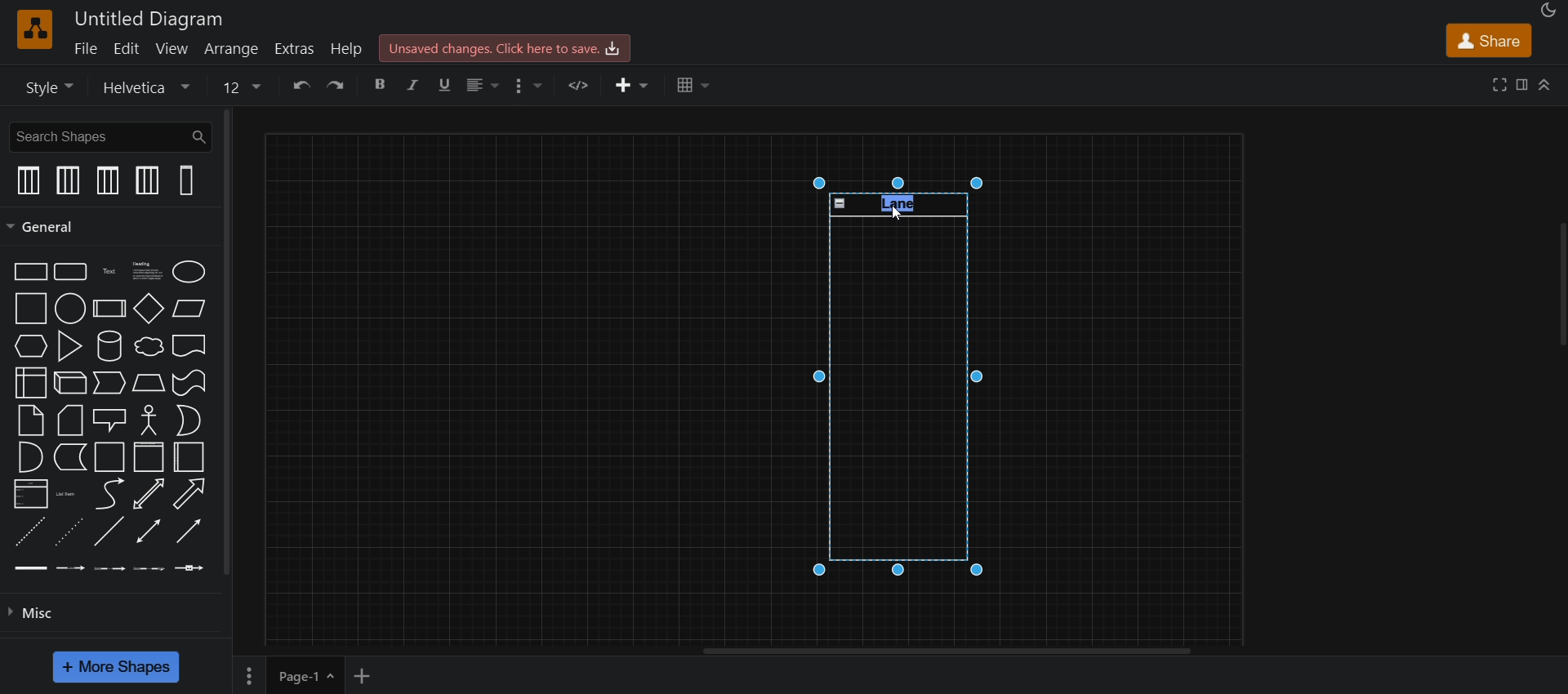 Image resolution: width=1568 pixels, height=694 pixels. What do you see at coordinates (632, 86) in the screenshot?
I see `insert` at bounding box center [632, 86].